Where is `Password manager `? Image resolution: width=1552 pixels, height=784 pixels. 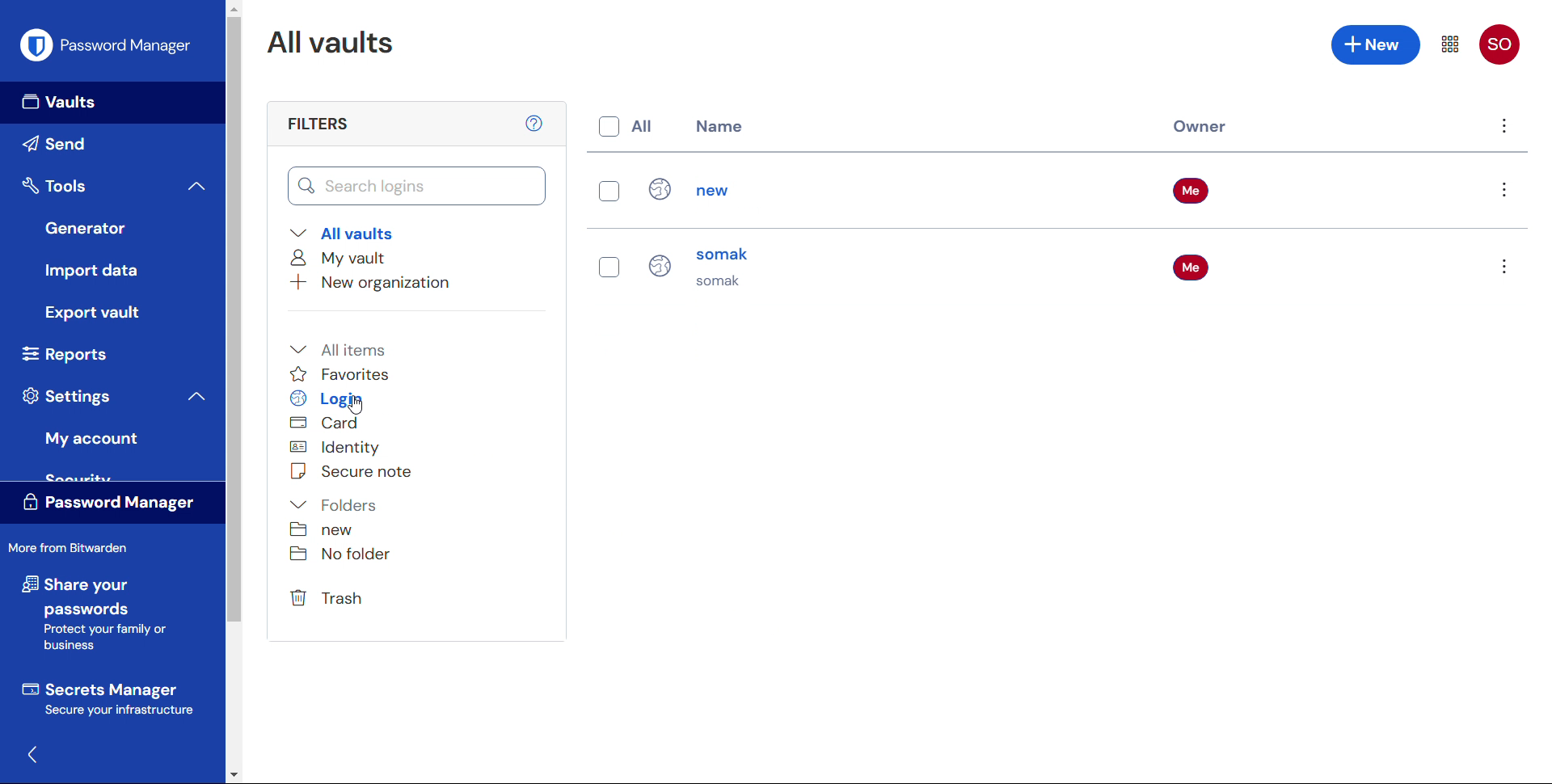 Password manager  is located at coordinates (111, 49).